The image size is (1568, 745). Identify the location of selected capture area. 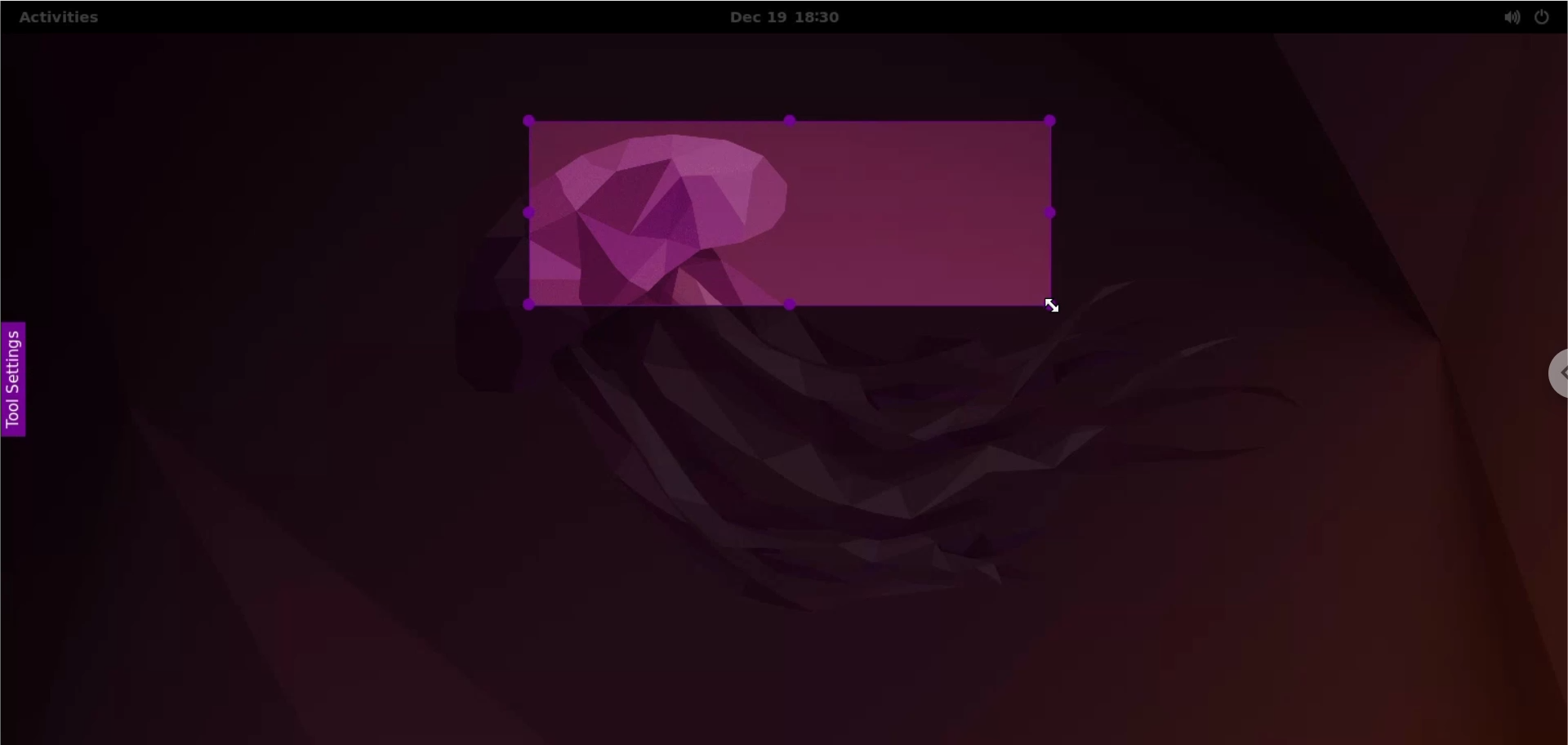
(791, 213).